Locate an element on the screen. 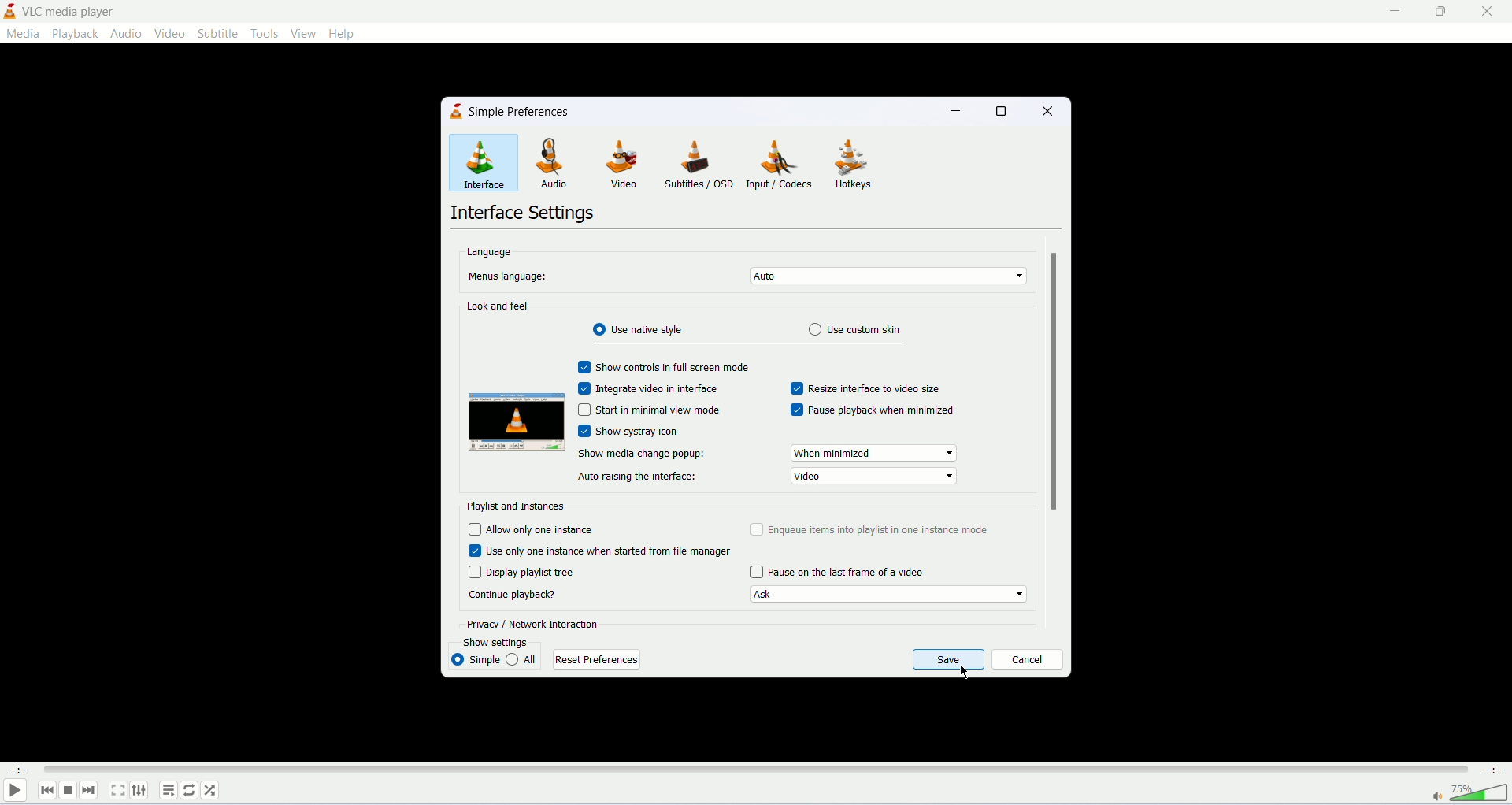 Image resolution: width=1512 pixels, height=805 pixels. language is located at coordinates (487, 253).